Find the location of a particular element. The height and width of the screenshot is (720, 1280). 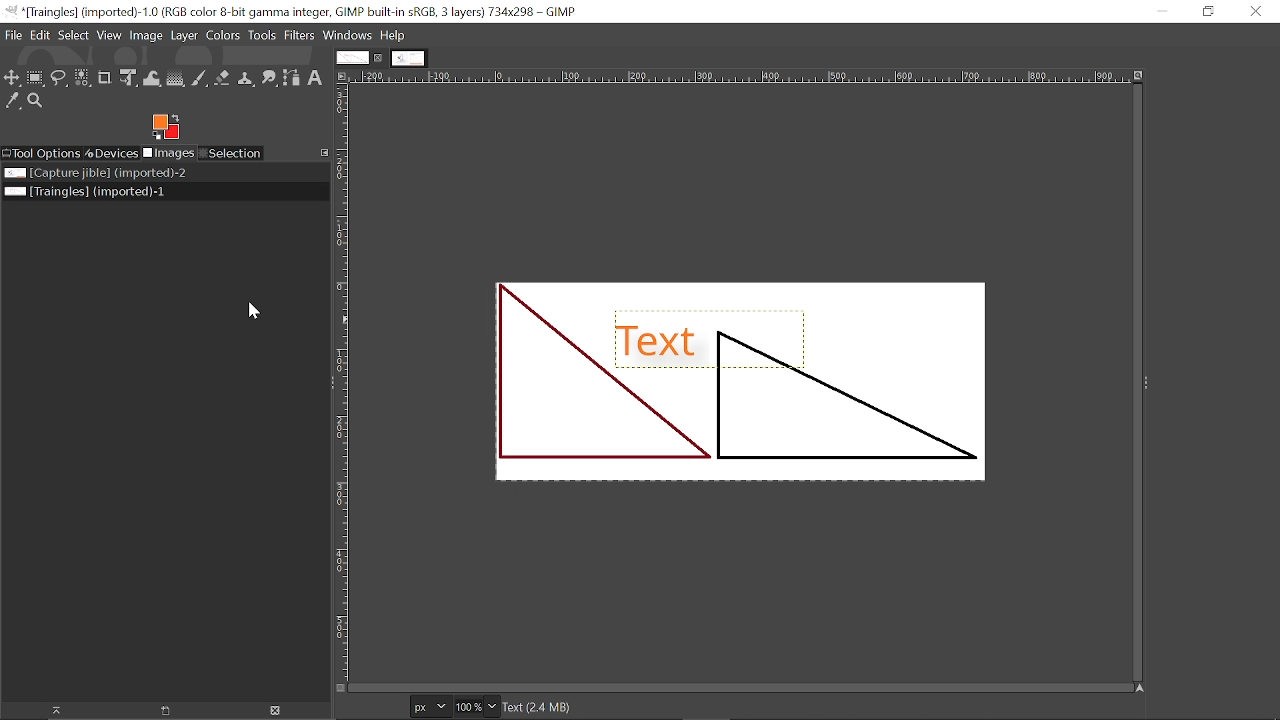

Shadow added to the text is located at coordinates (700, 340).